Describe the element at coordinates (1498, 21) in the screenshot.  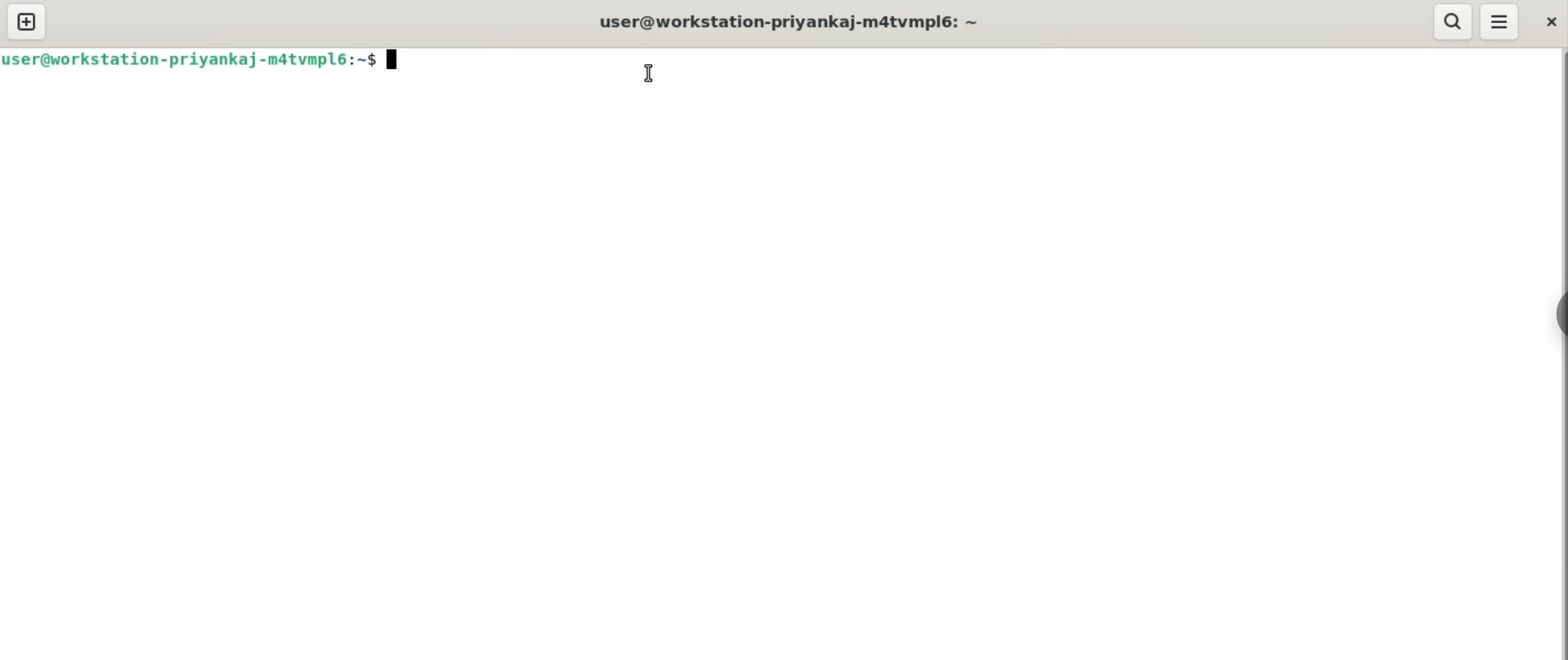
I see `menu` at that location.